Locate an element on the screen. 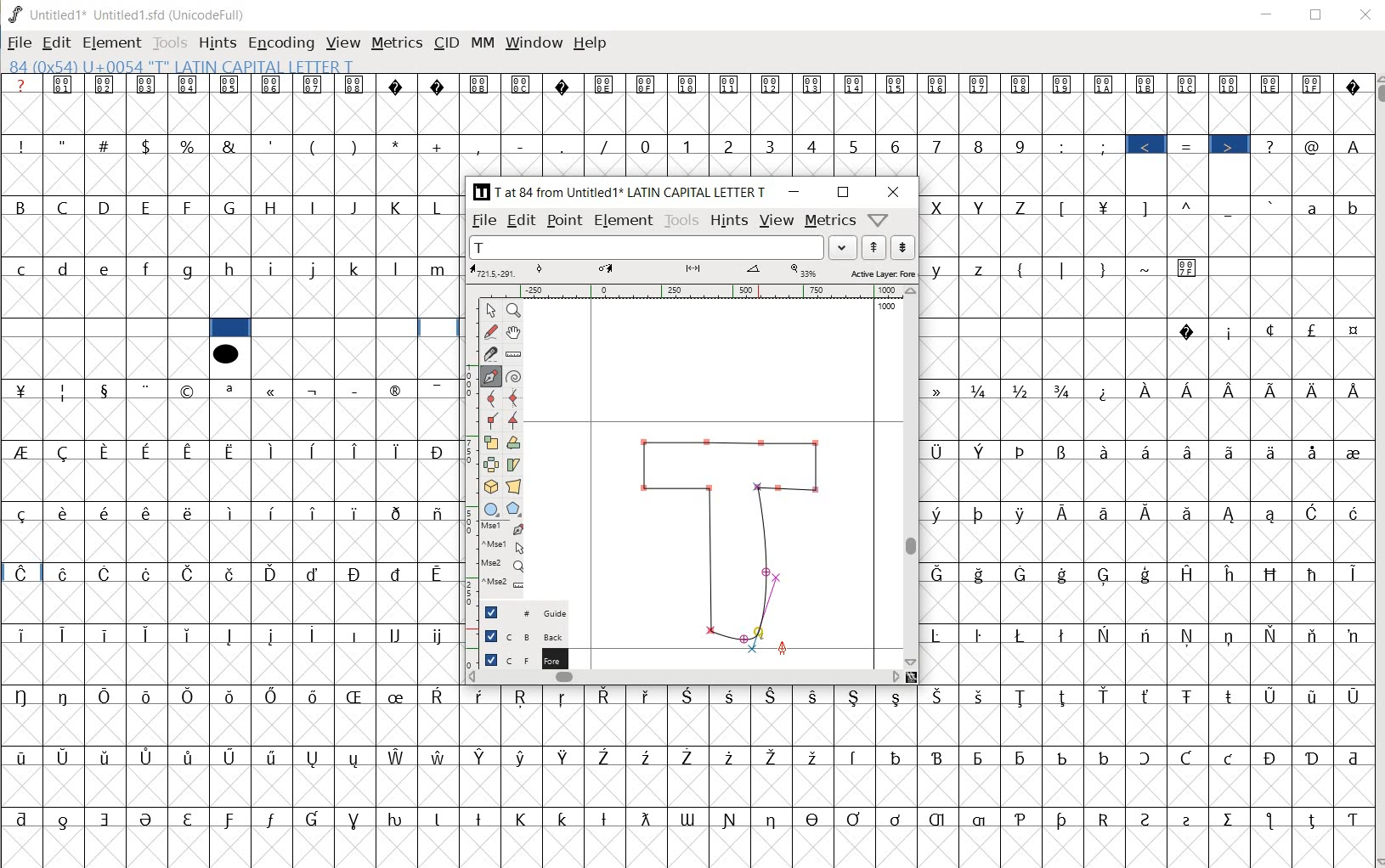 The image size is (1385, 868). scale is located at coordinates (492, 440).